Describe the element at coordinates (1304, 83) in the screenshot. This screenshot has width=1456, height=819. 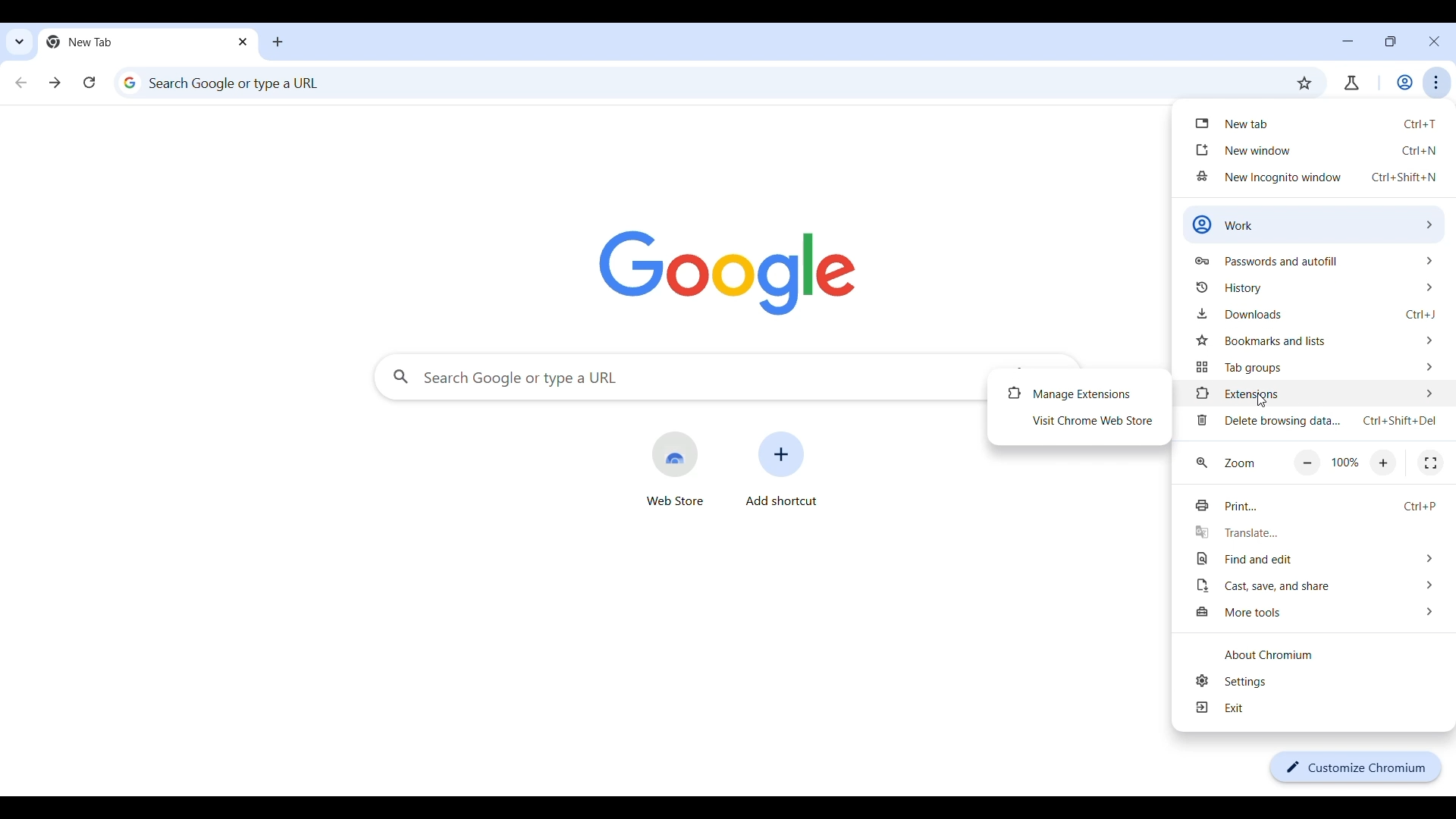
I see `Bookmark current tab` at that location.